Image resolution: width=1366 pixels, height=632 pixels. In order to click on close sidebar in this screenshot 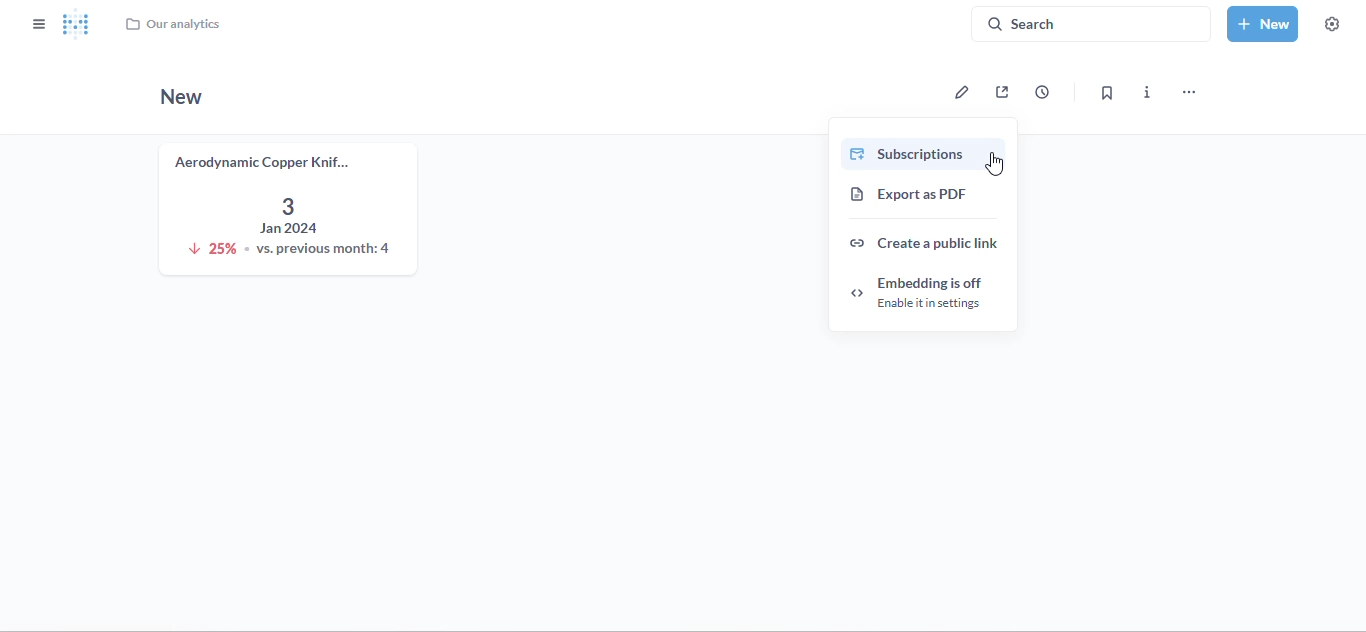, I will do `click(39, 23)`.